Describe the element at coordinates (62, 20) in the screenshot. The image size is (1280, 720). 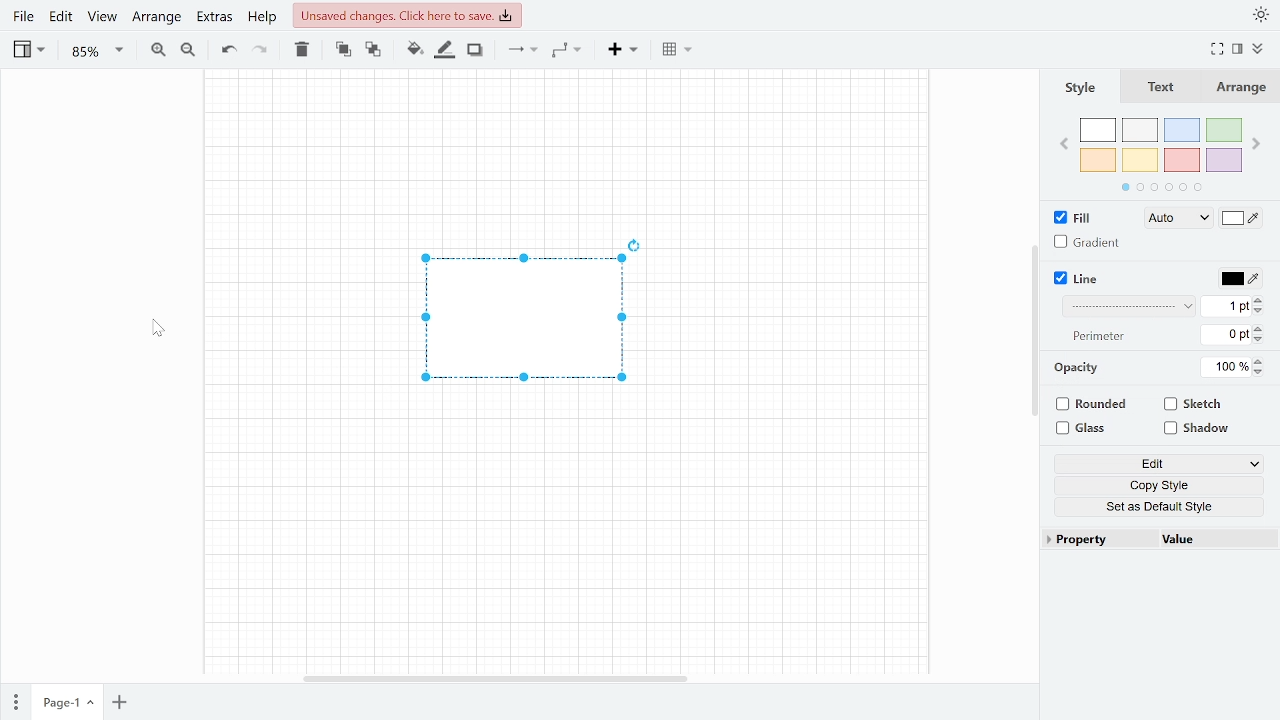
I see `Edit` at that location.